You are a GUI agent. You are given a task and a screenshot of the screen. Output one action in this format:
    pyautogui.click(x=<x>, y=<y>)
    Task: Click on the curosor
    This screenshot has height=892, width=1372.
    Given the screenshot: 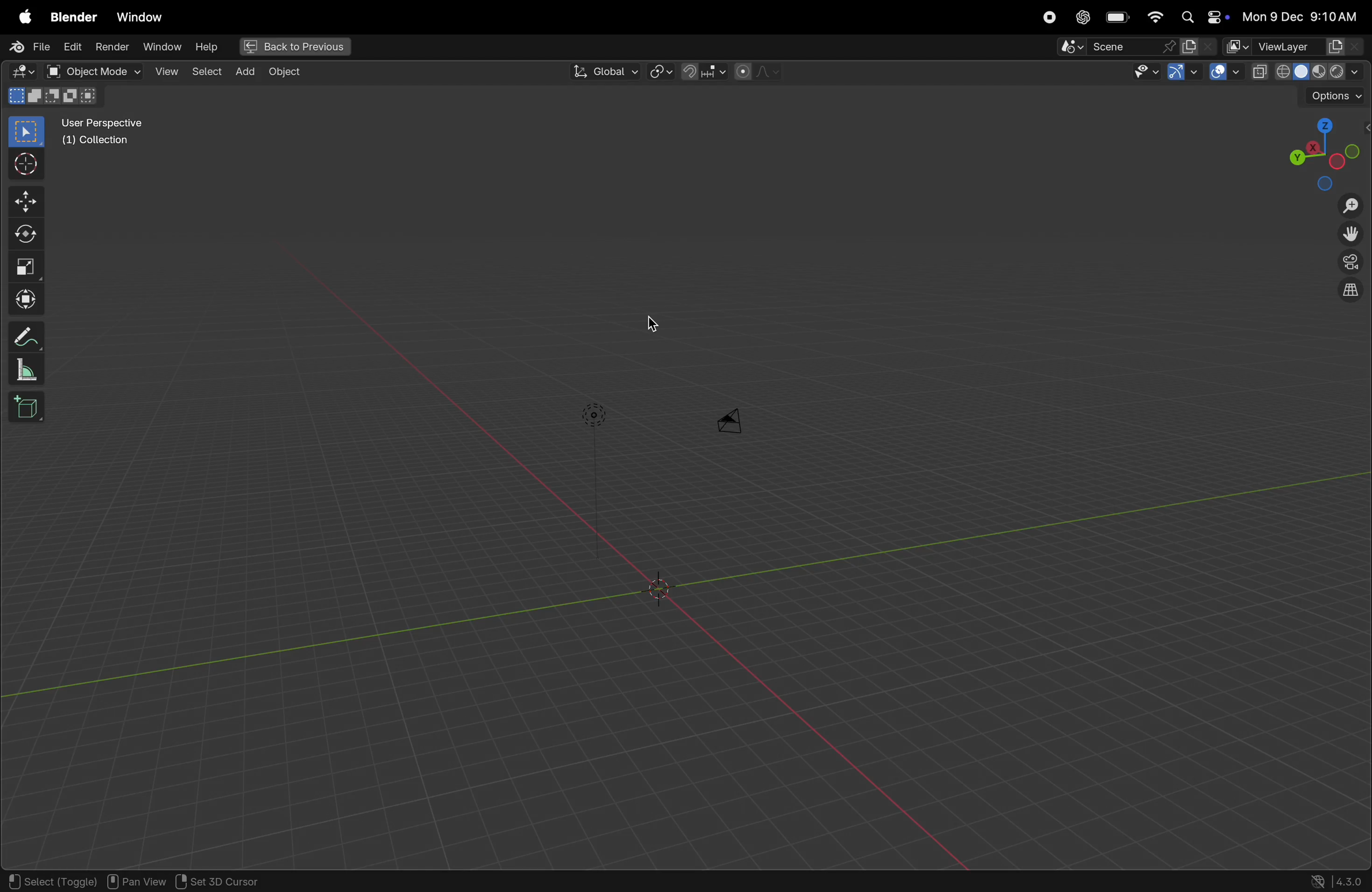 What is the action you would take?
    pyautogui.click(x=29, y=163)
    